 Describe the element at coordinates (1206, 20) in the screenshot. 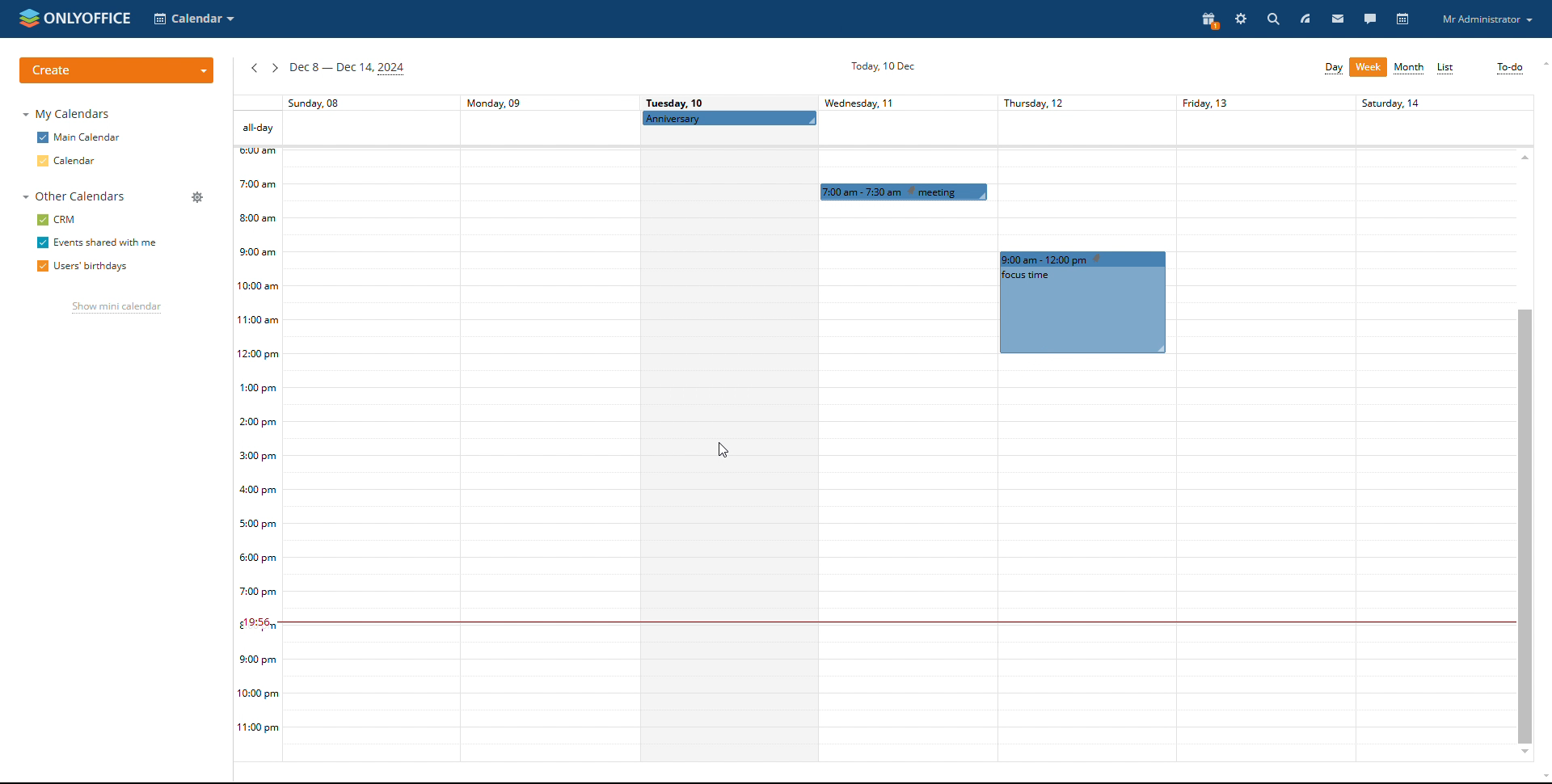

I see `present` at that location.